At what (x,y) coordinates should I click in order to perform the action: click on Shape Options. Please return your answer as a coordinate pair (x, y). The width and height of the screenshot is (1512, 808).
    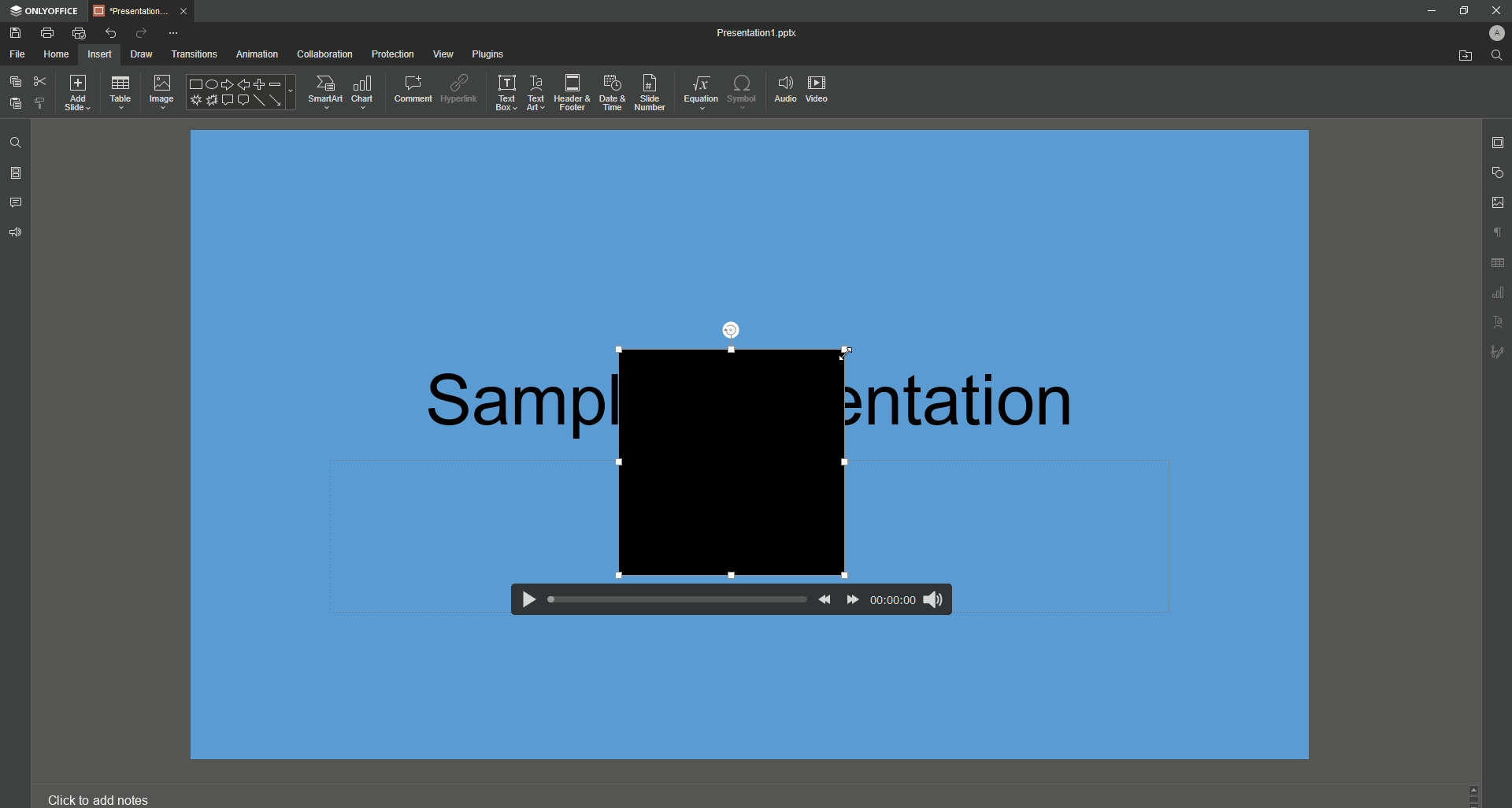
    Looking at the image, I should click on (240, 93).